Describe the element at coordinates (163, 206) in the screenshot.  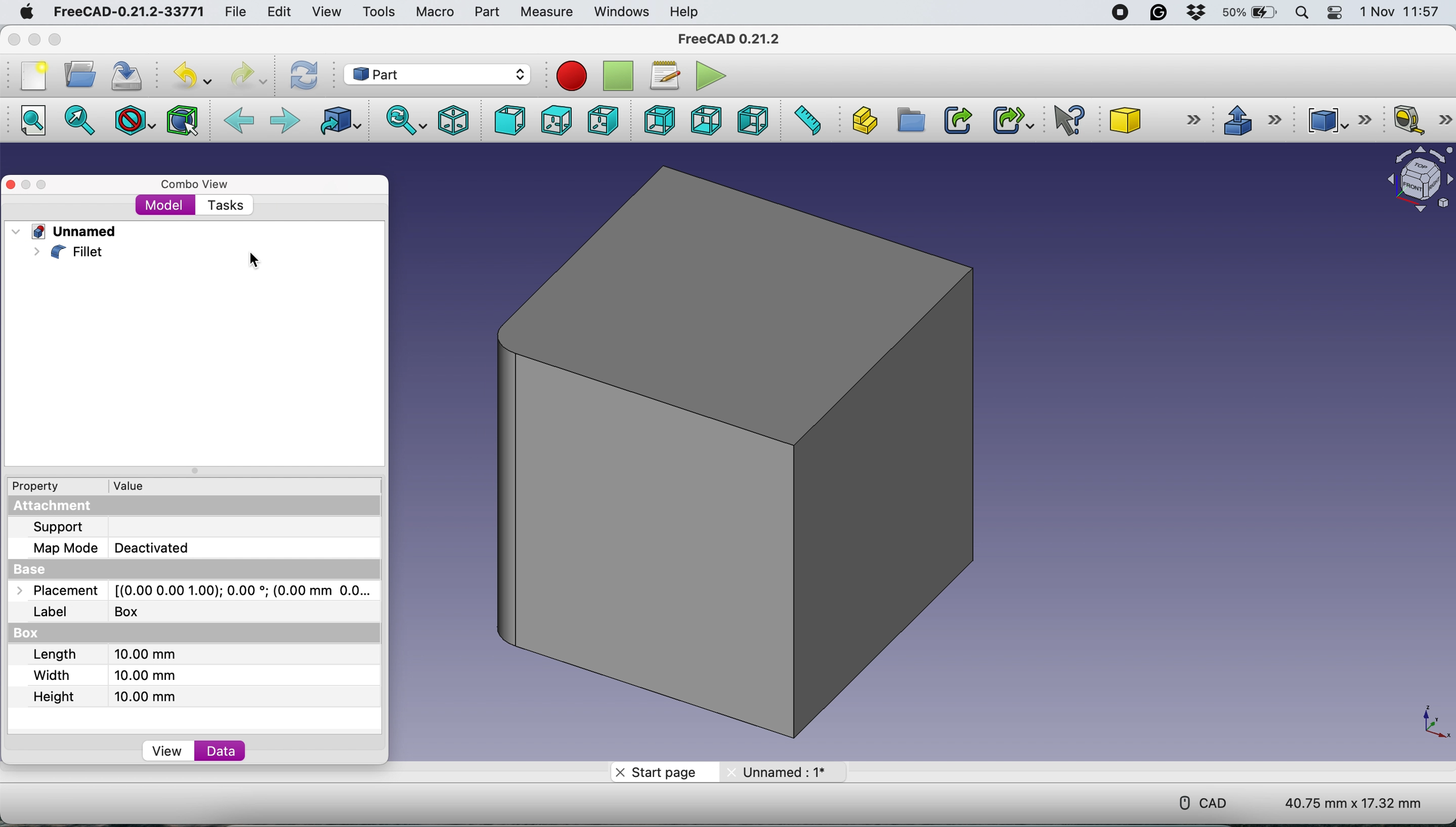
I see `model` at that location.